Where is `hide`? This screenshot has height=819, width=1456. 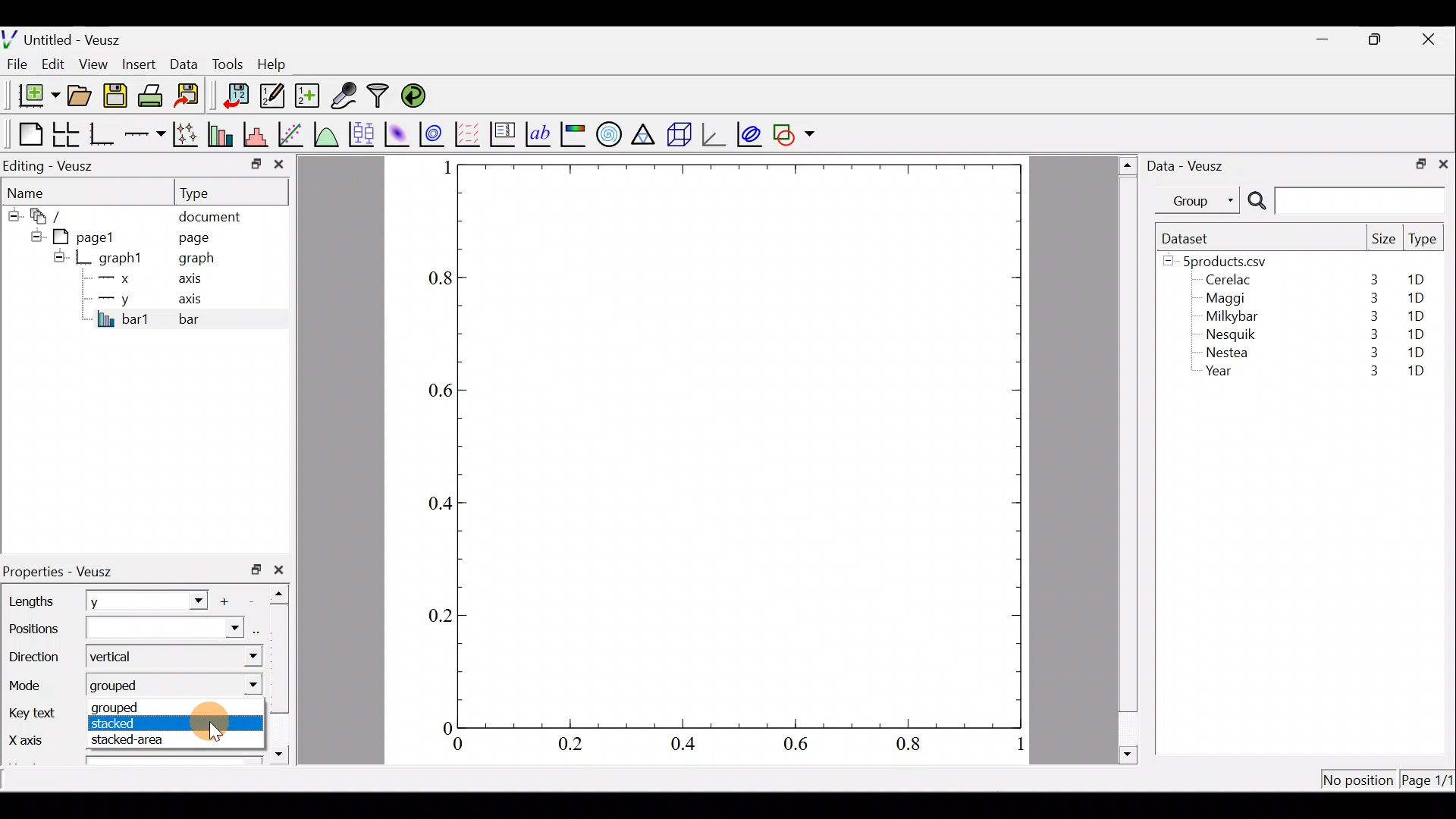 hide is located at coordinates (12, 213).